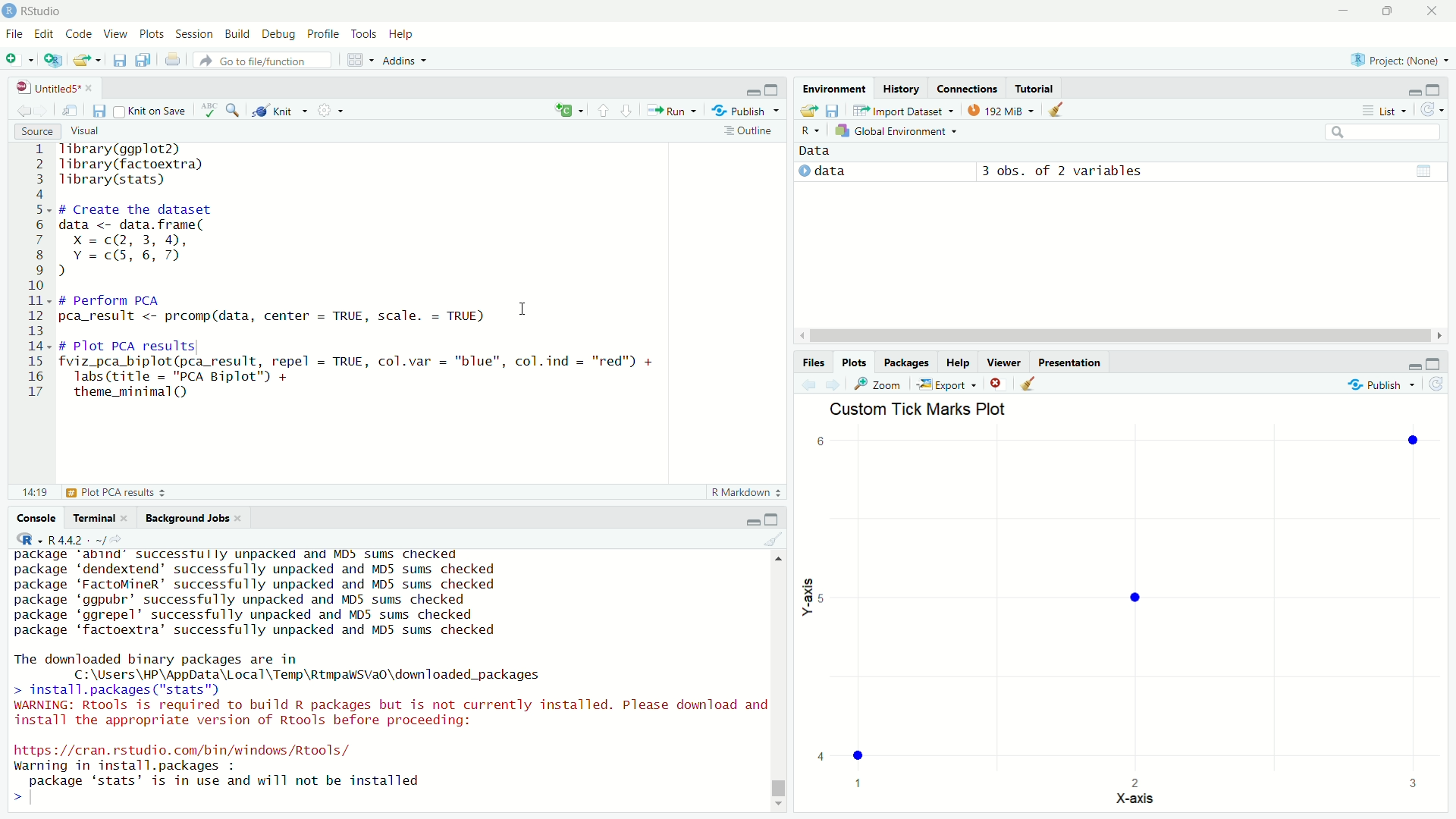  Describe the element at coordinates (628, 109) in the screenshot. I see `go forward` at that location.